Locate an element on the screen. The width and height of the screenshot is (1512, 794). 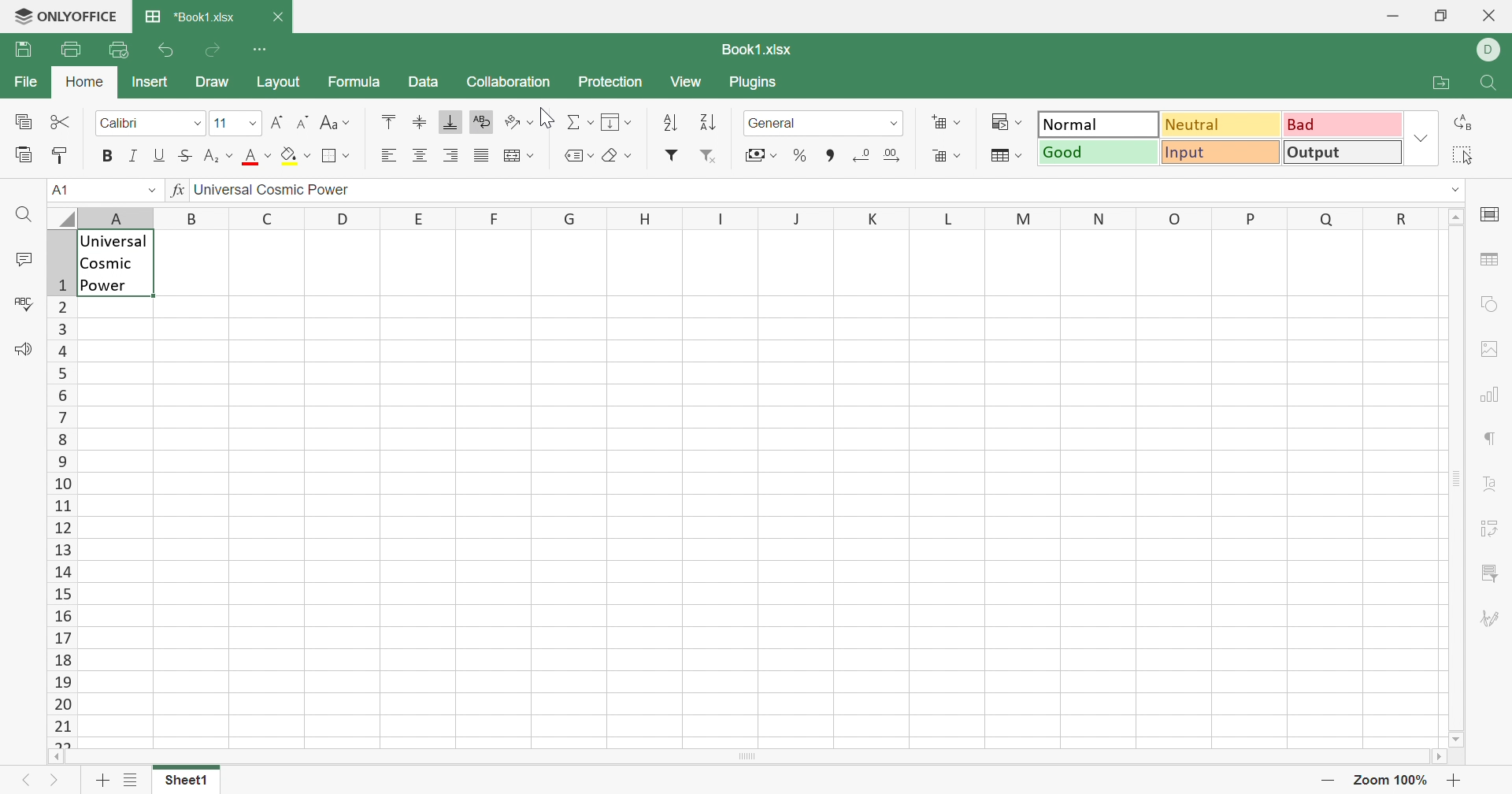
Add sheet is located at coordinates (102, 780).